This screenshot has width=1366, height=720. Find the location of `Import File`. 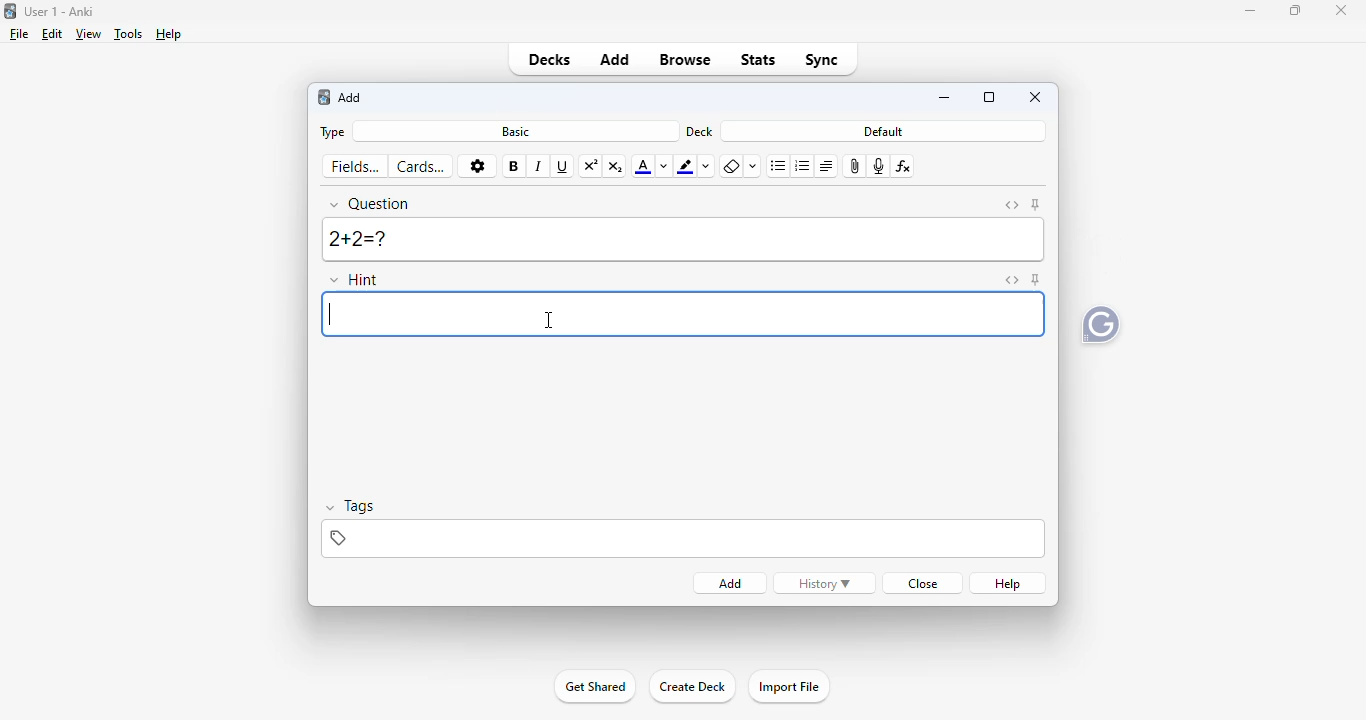

Import File is located at coordinates (793, 688).